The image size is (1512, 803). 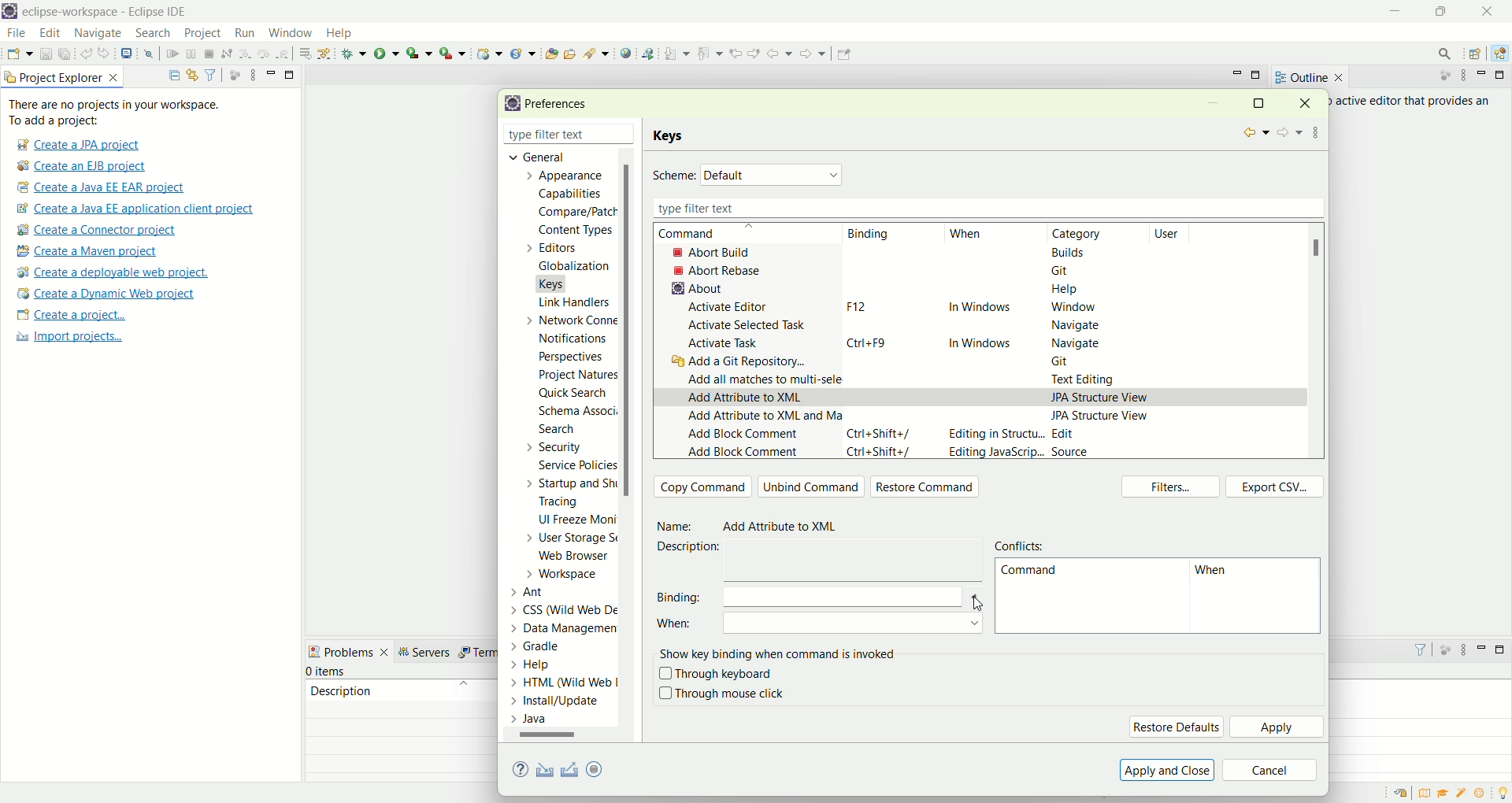 What do you see at coordinates (1237, 73) in the screenshot?
I see `minimize` at bounding box center [1237, 73].